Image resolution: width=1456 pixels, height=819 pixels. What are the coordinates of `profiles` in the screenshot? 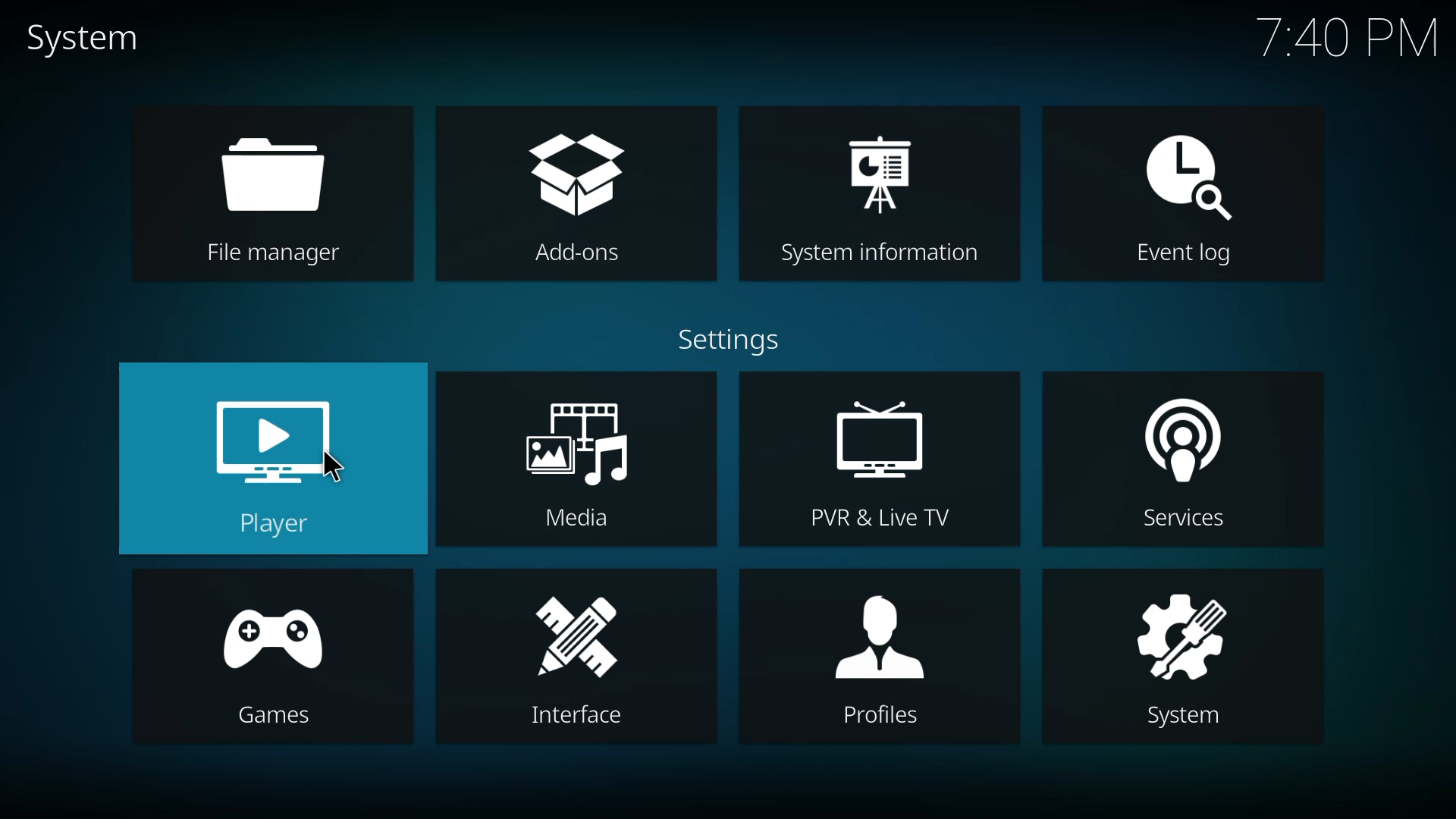 It's located at (888, 654).